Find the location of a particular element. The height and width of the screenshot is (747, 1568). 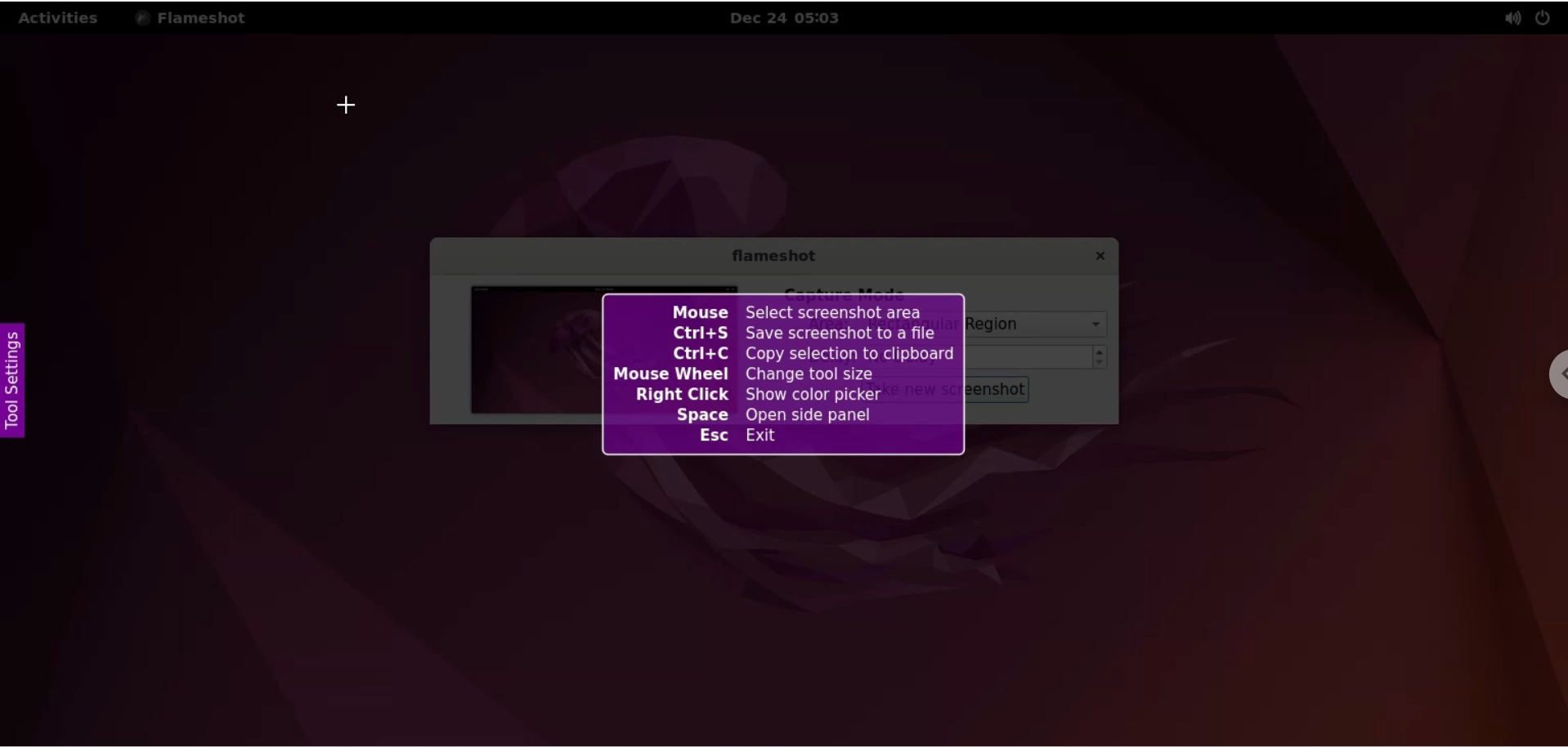

flameshot  is located at coordinates (772, 259).